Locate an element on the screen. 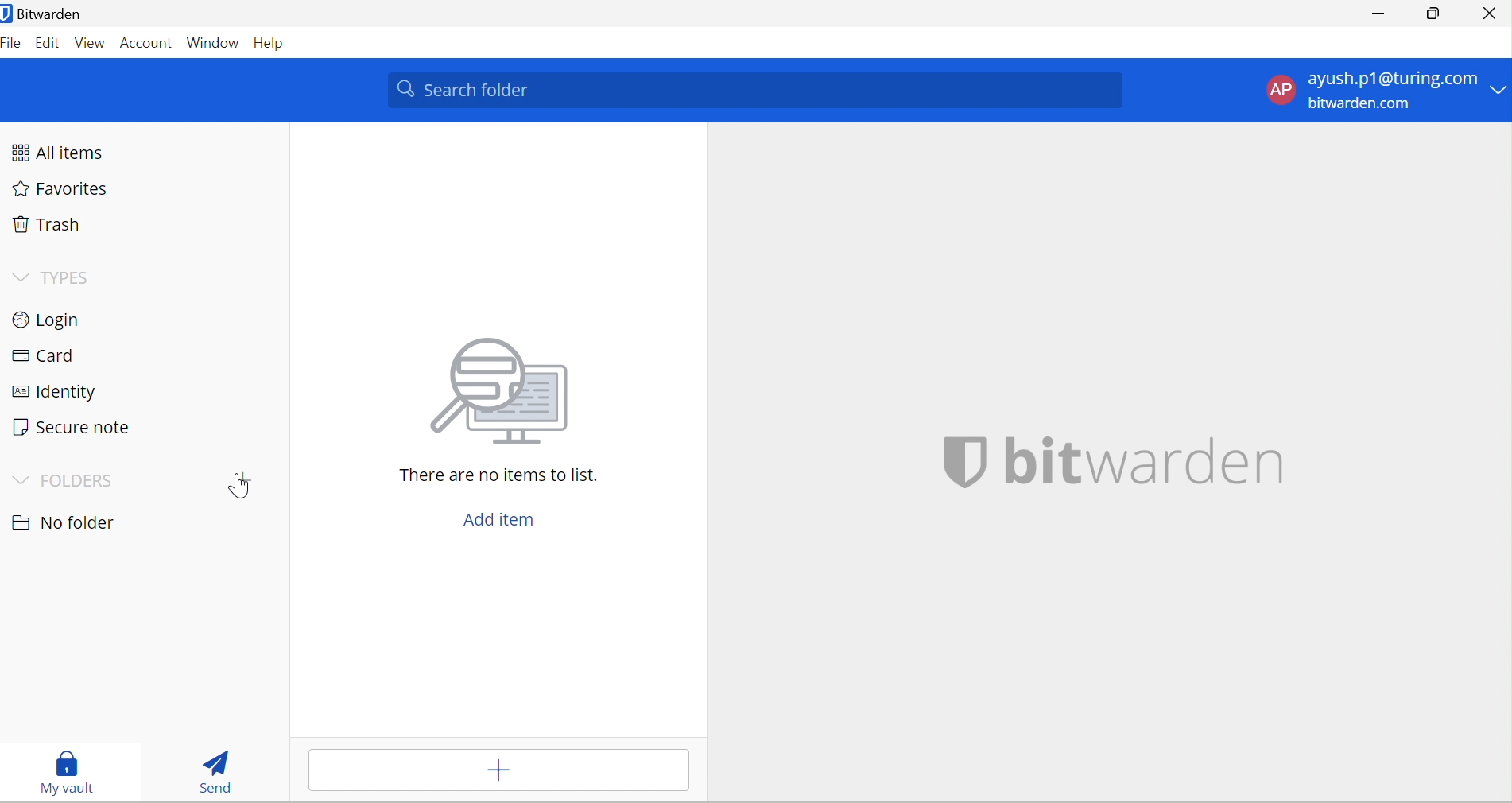  Drop Down is located at coordinates (1500, 90).